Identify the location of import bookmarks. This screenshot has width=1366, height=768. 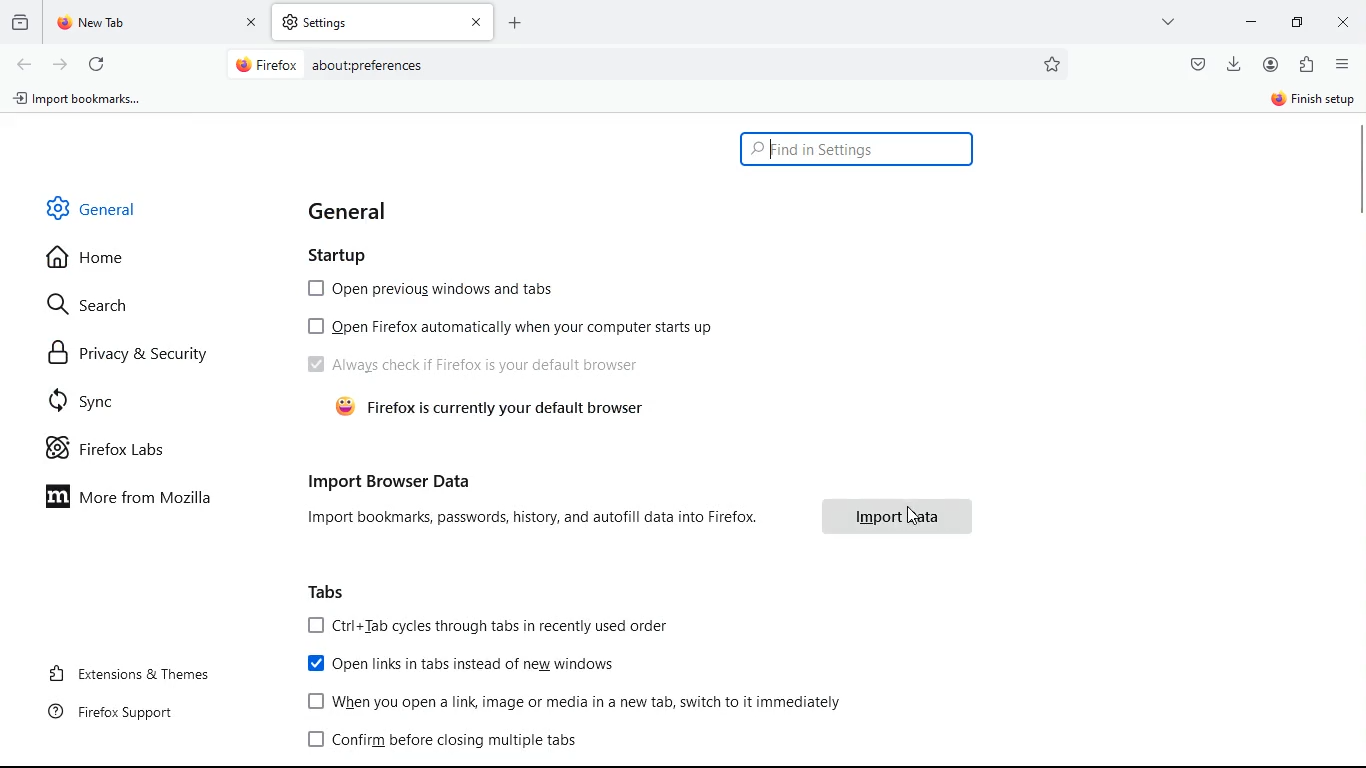
(80, 102).